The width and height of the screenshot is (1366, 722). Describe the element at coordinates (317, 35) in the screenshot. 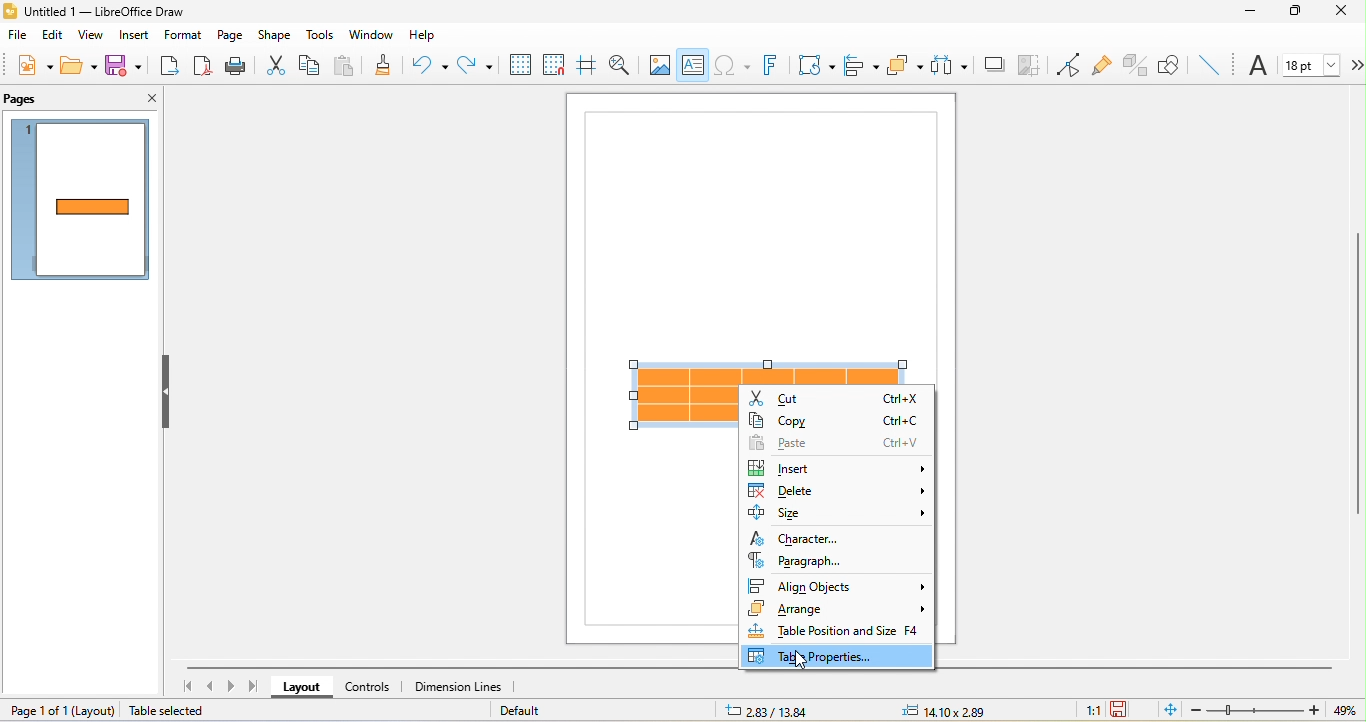

I see `tools` at that location.